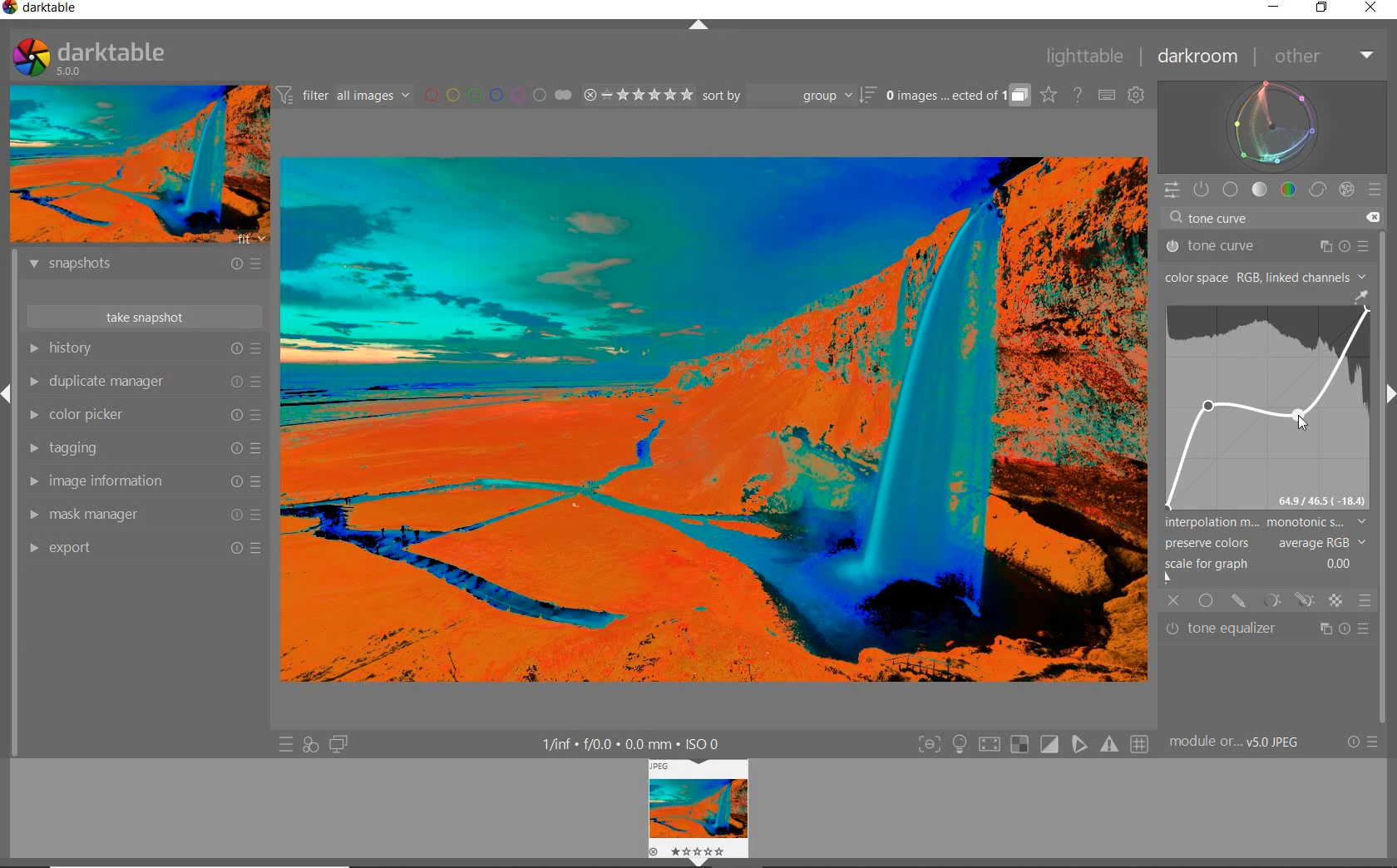 This screenshot has width=1397, height=868. I want to click on FILTER BY IMAGE COLOR LABEL, so click(499, 96).